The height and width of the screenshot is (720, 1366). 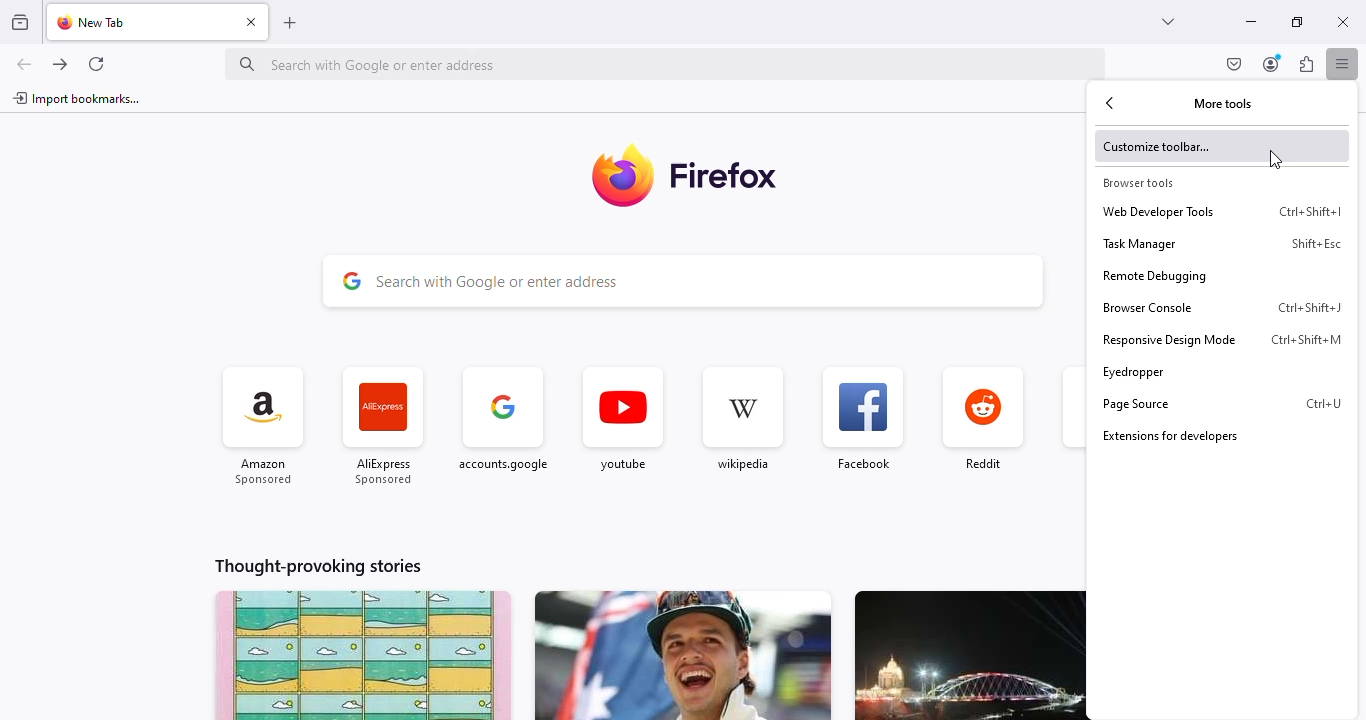 What do you see at coordinates (78, 98) in the screenshot?
I see `import bookmarks` at bounding box center [78, 98].